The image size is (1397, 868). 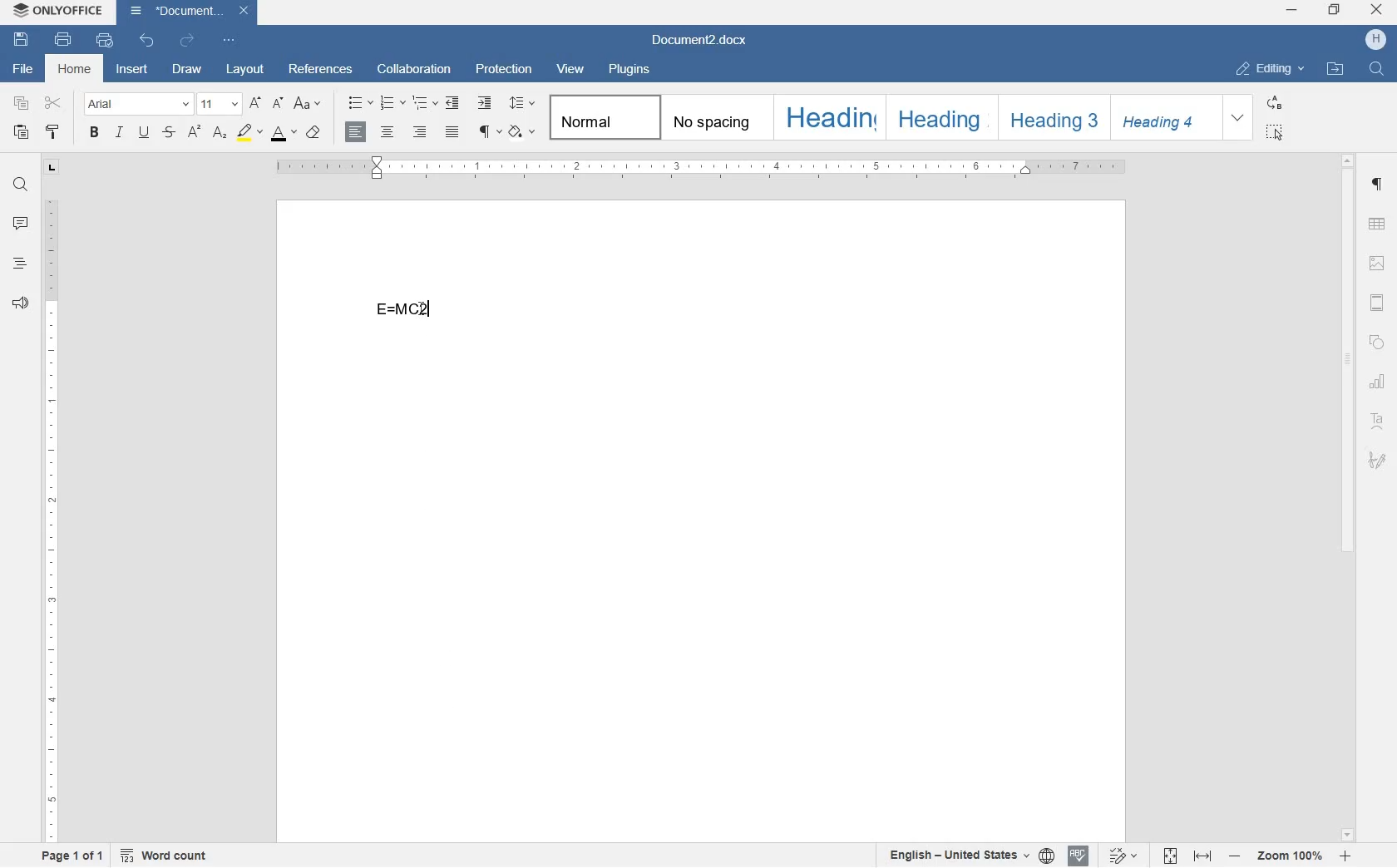 I want to click on highlight color, so click(x=249, y=133).